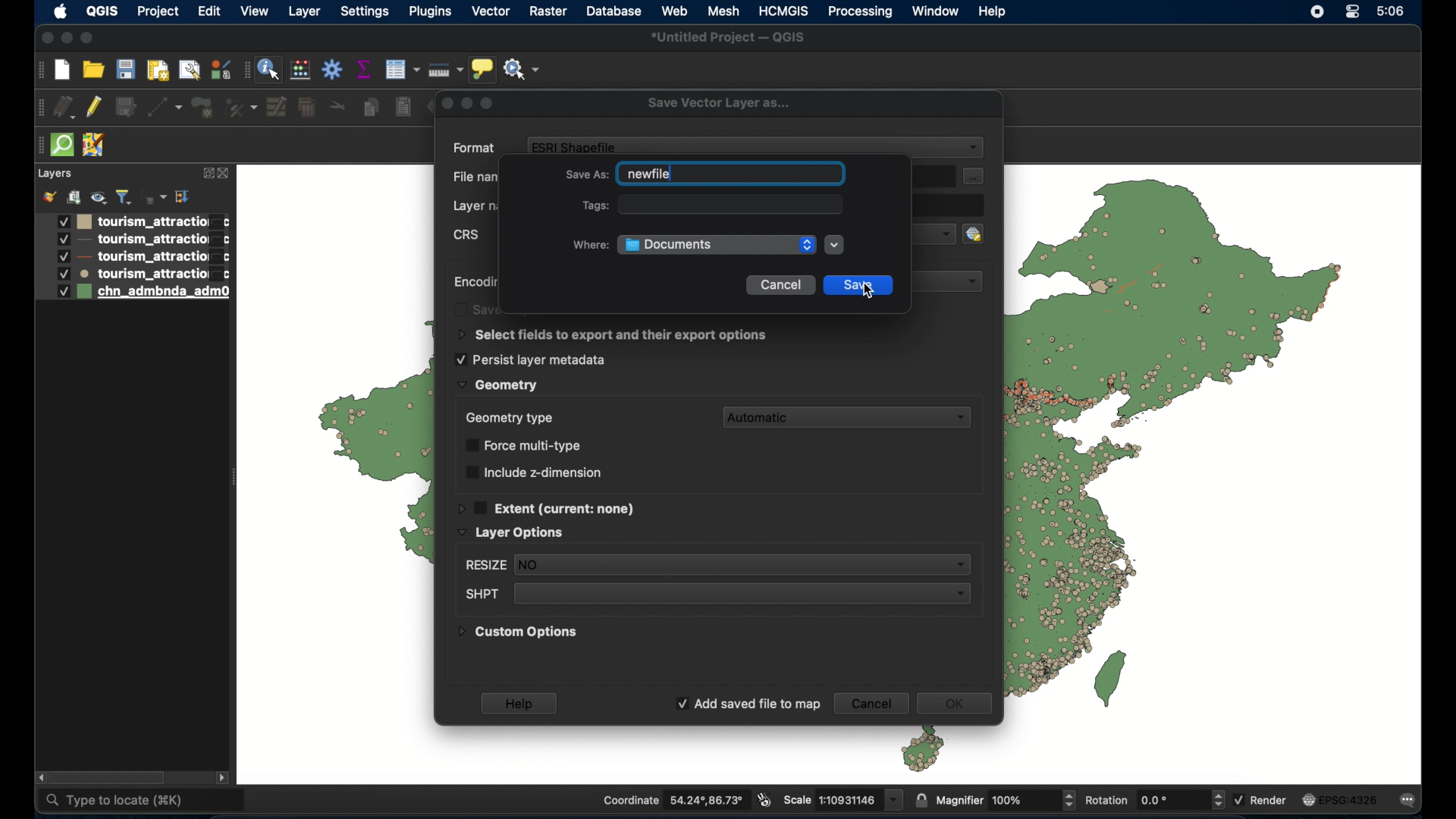 The height and width of the screenshot is (819, 1456). I want to click on dropdown, so click(935, 233).